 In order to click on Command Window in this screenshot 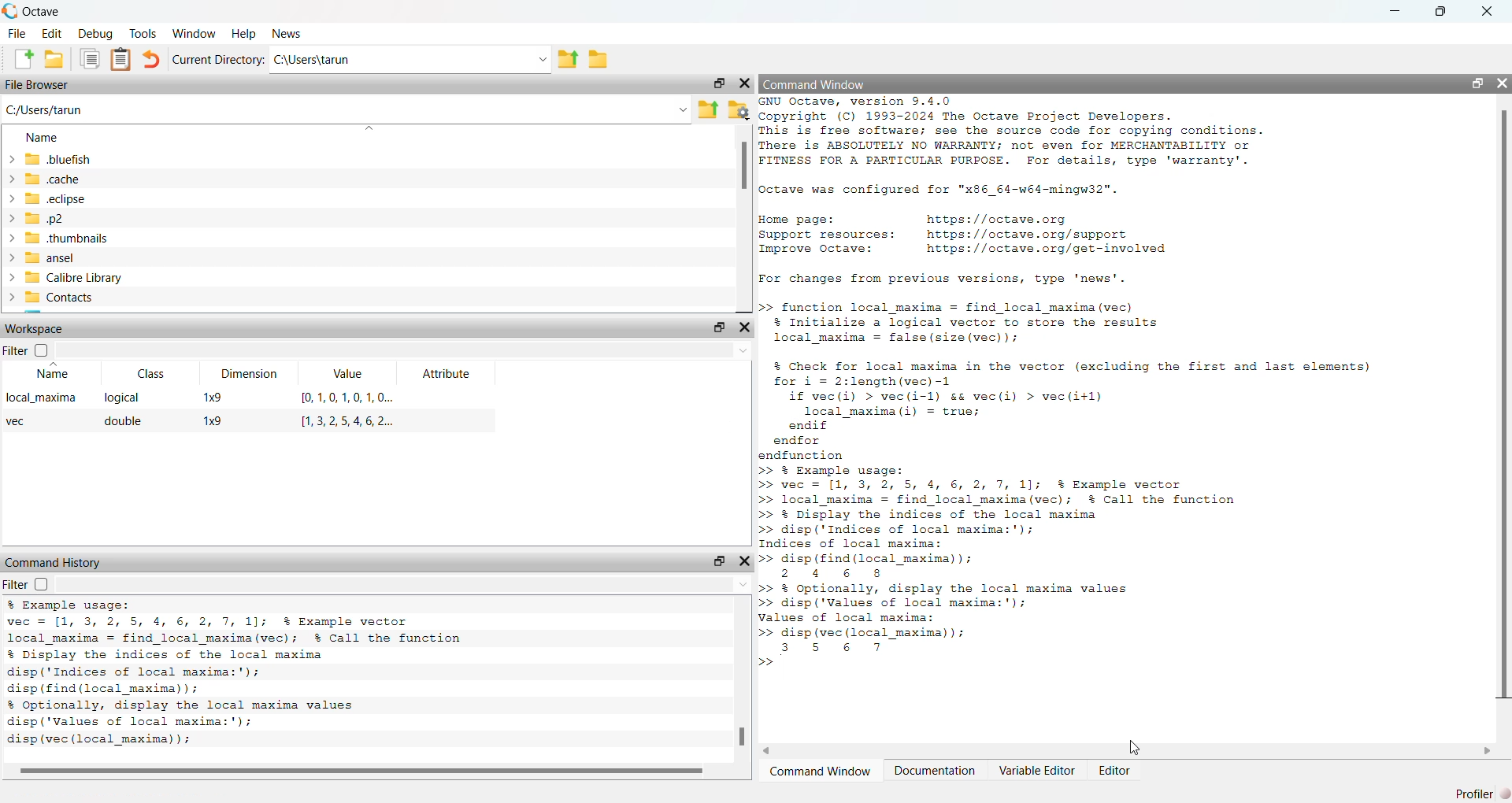, I will do `click(819, 771)`.